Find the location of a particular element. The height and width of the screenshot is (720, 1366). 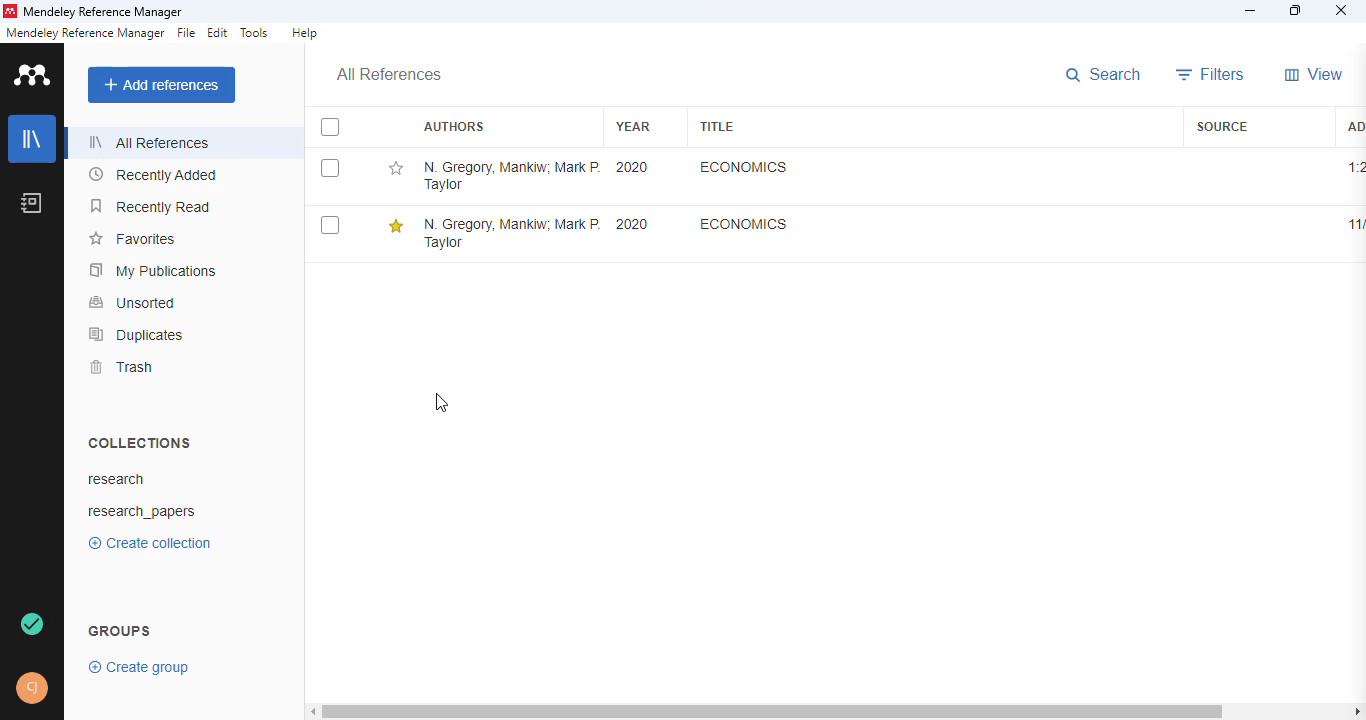

added is located at coordinates (1356, 127).